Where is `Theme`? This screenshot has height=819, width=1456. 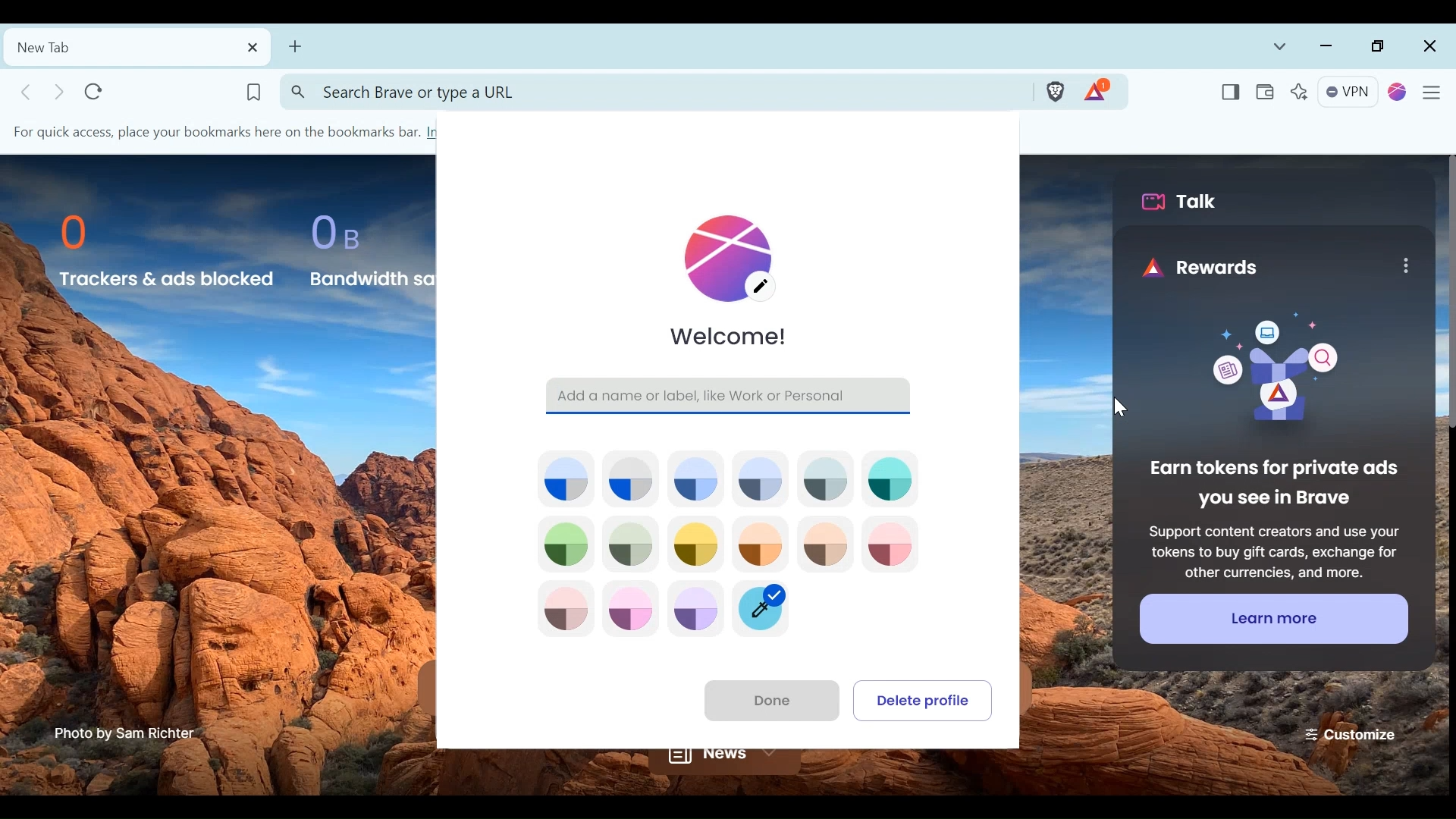 Theme is located at coordinates (891, 544).